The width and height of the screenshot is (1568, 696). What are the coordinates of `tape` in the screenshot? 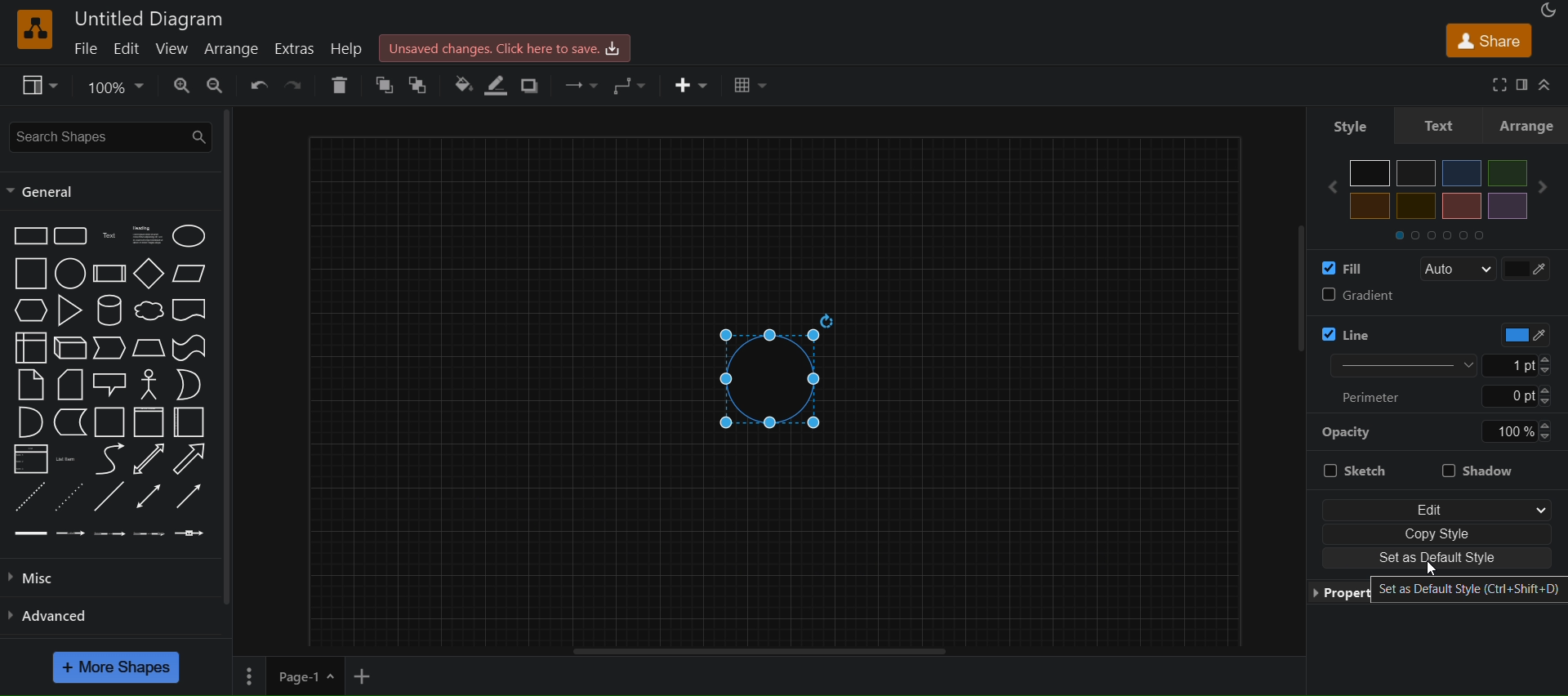 It's located at (192, 346).